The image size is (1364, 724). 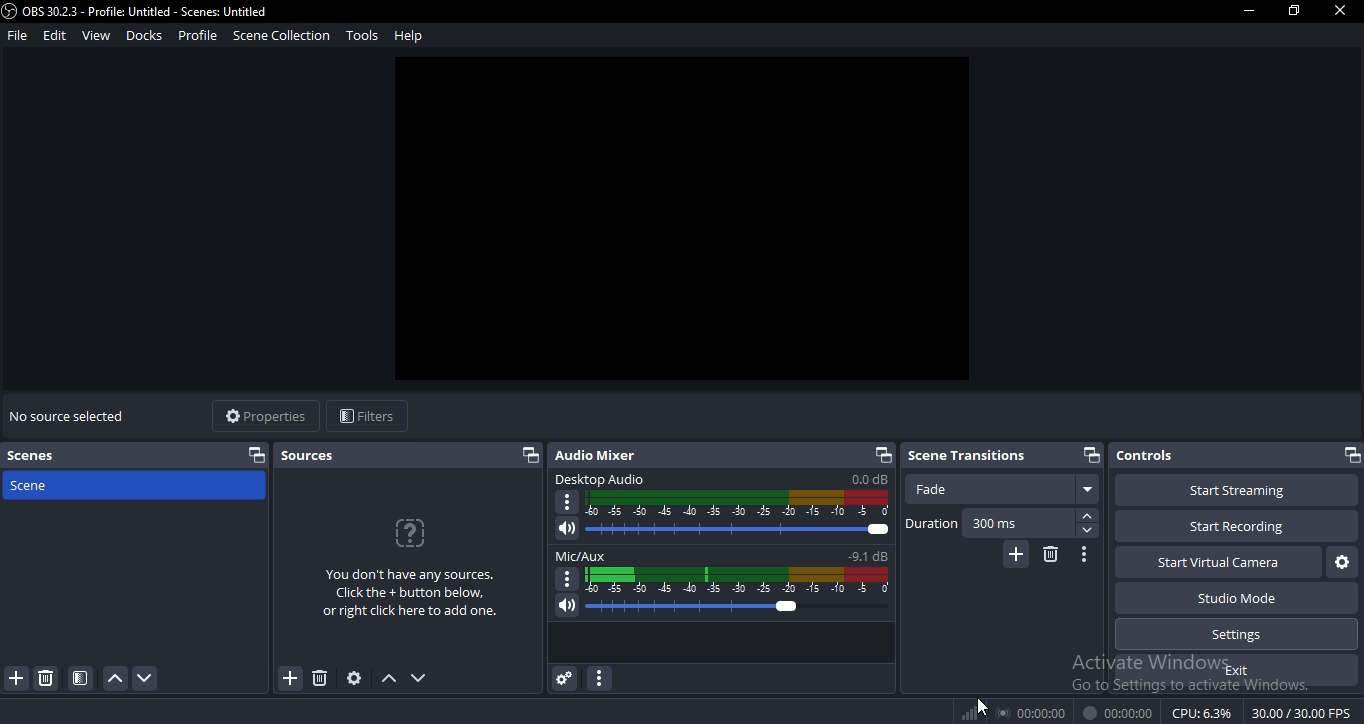 I want to click on grid, so click(x=82, y=678).